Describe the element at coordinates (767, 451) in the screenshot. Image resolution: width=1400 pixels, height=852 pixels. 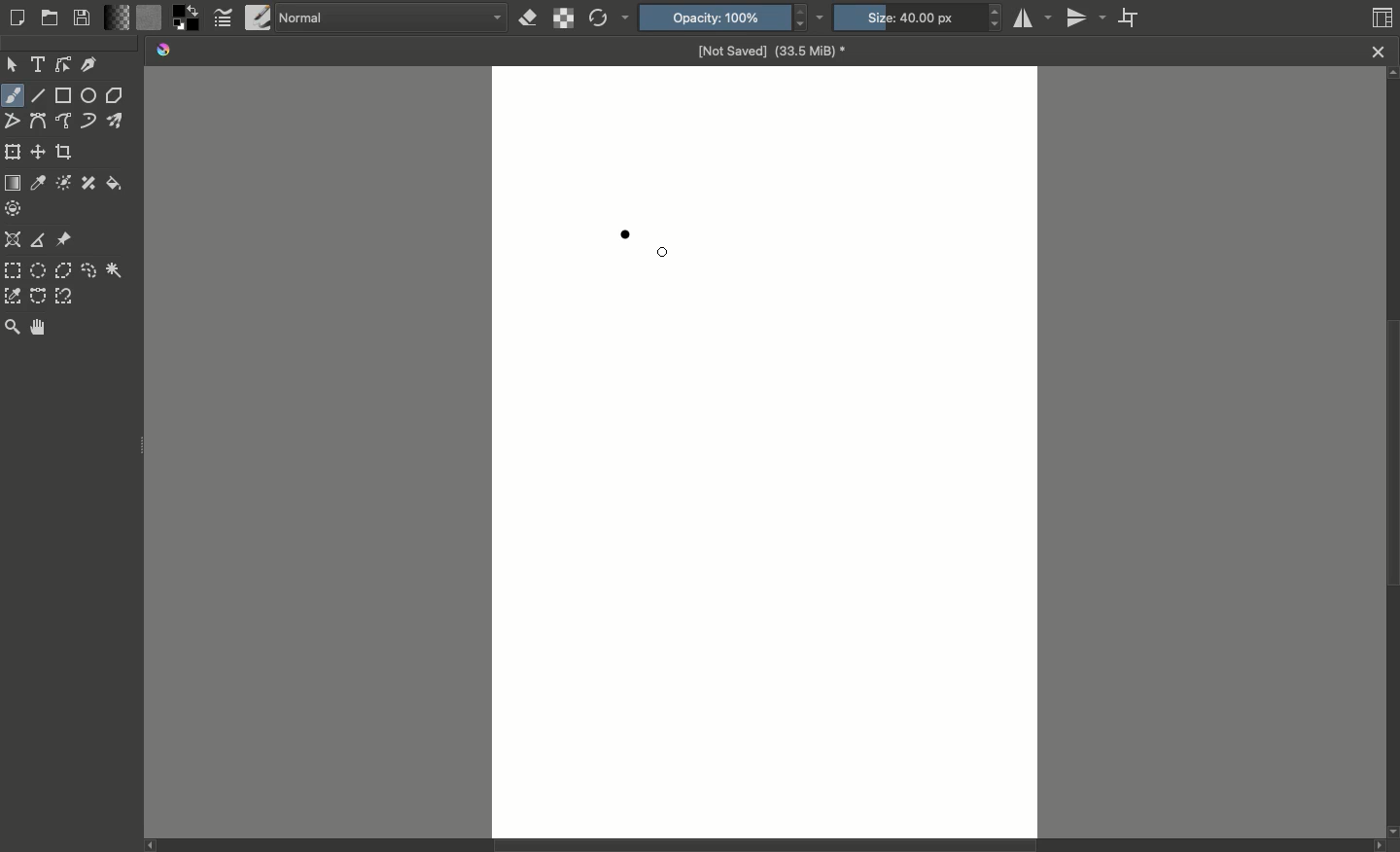
I see `Canvas` at that location.